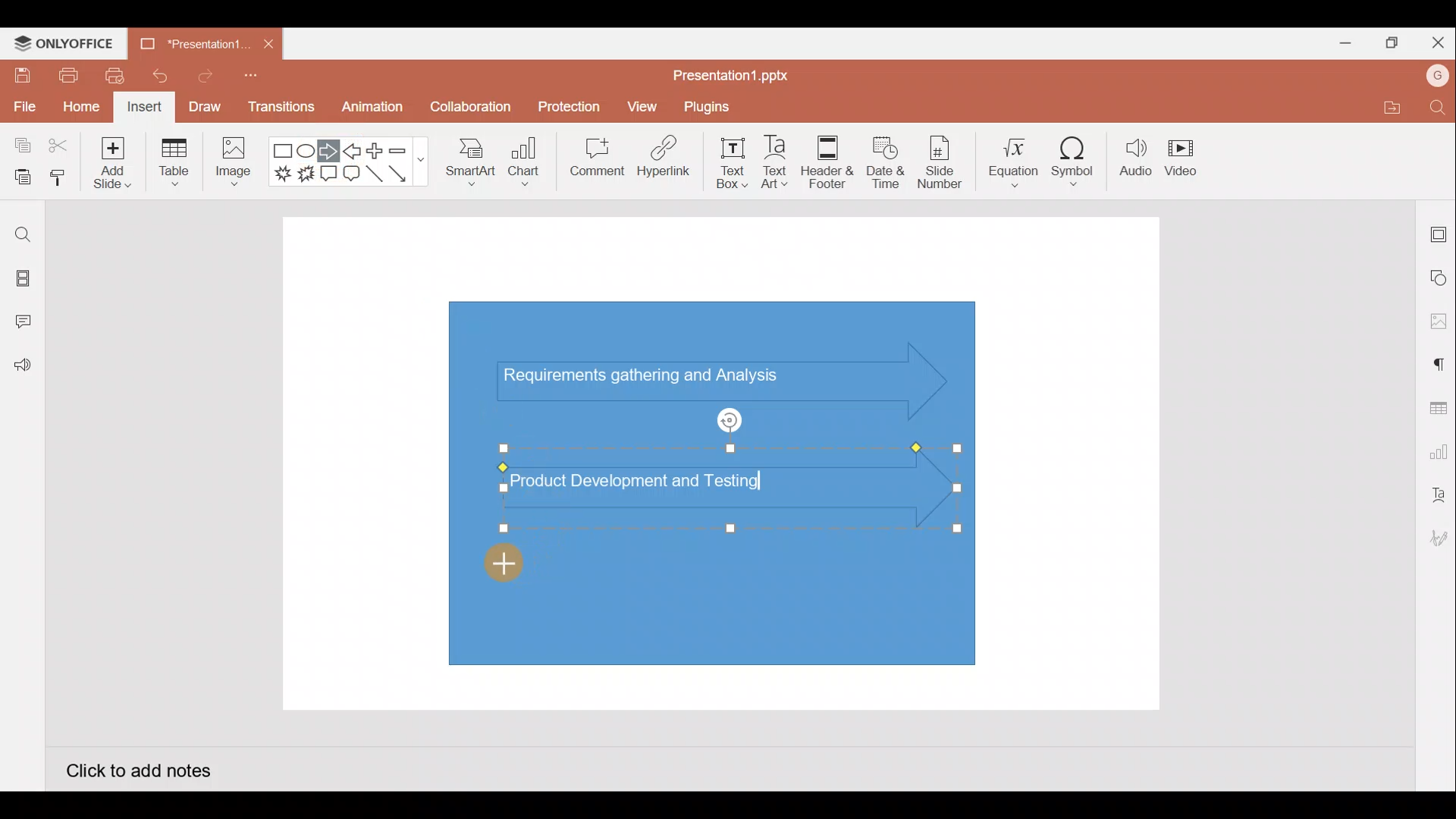 The image size is (1456, 819). I want to click on Image settings, so click(1439, 322).